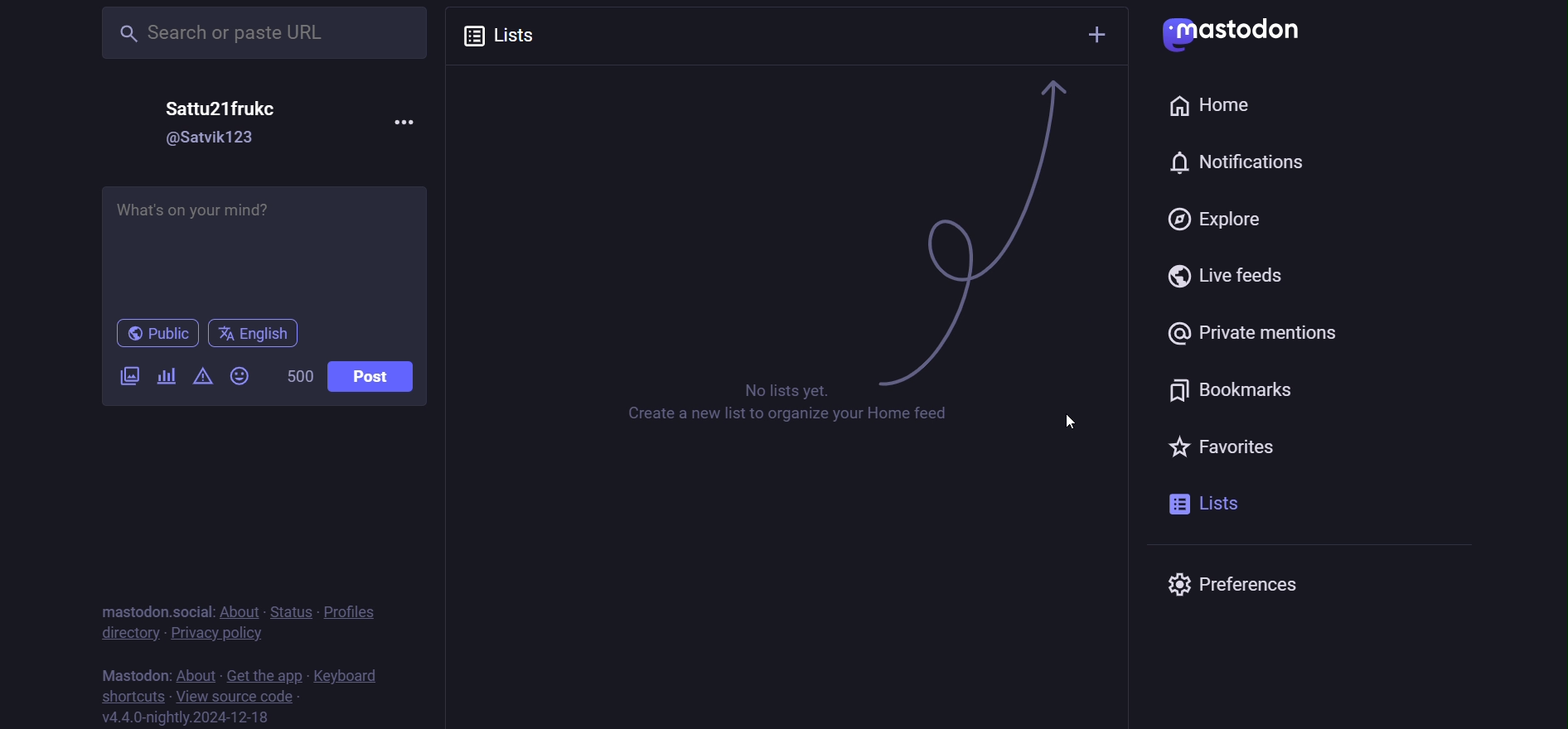 Image resolution: width=1568 pixels, height=729 pixels. Describe the element at coordinates (287, 608) in the screenshot. I see `status` at that location.